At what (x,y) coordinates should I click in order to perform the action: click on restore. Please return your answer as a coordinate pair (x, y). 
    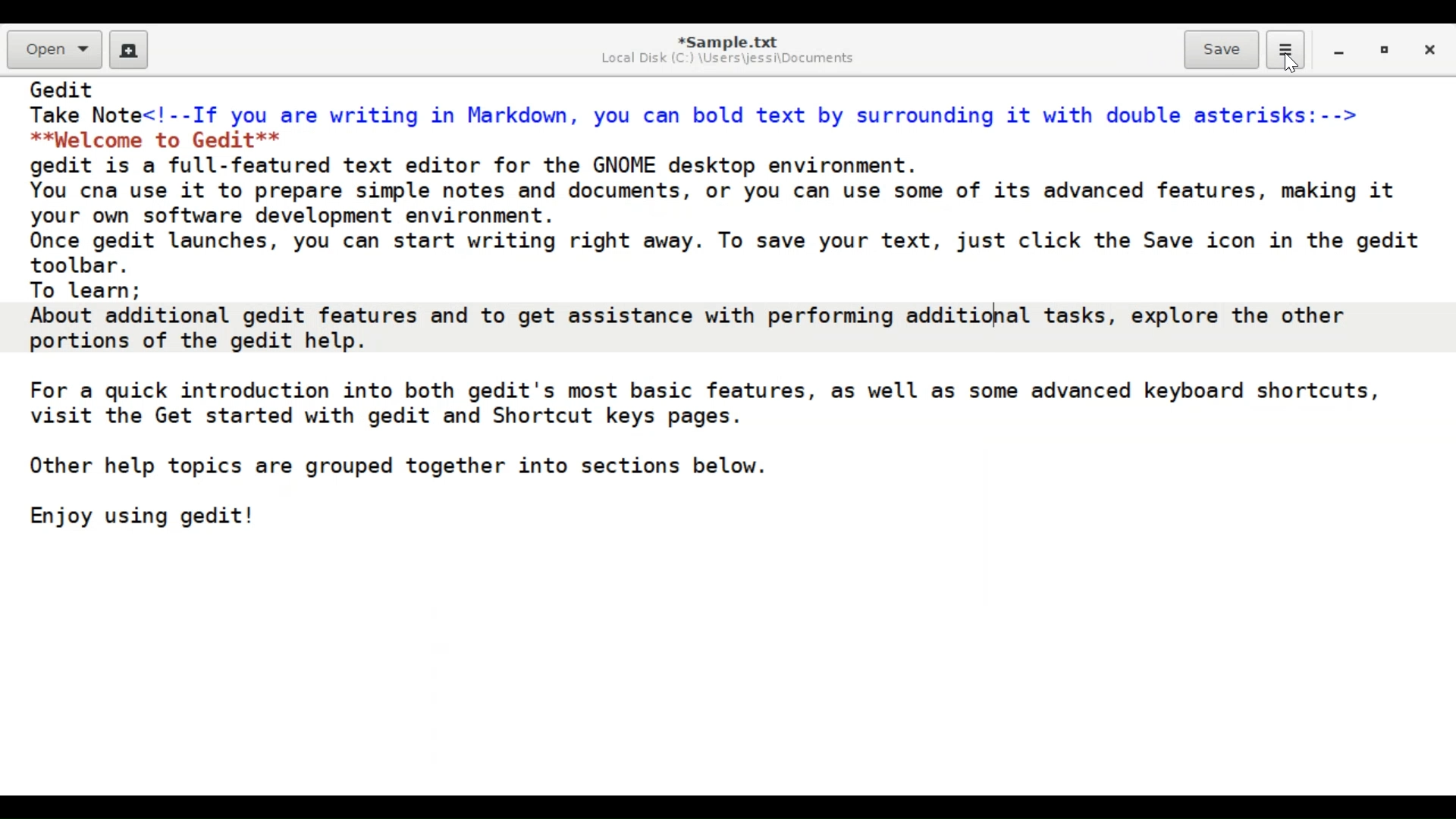
    Looking at the image, I should click on (1387, 52).